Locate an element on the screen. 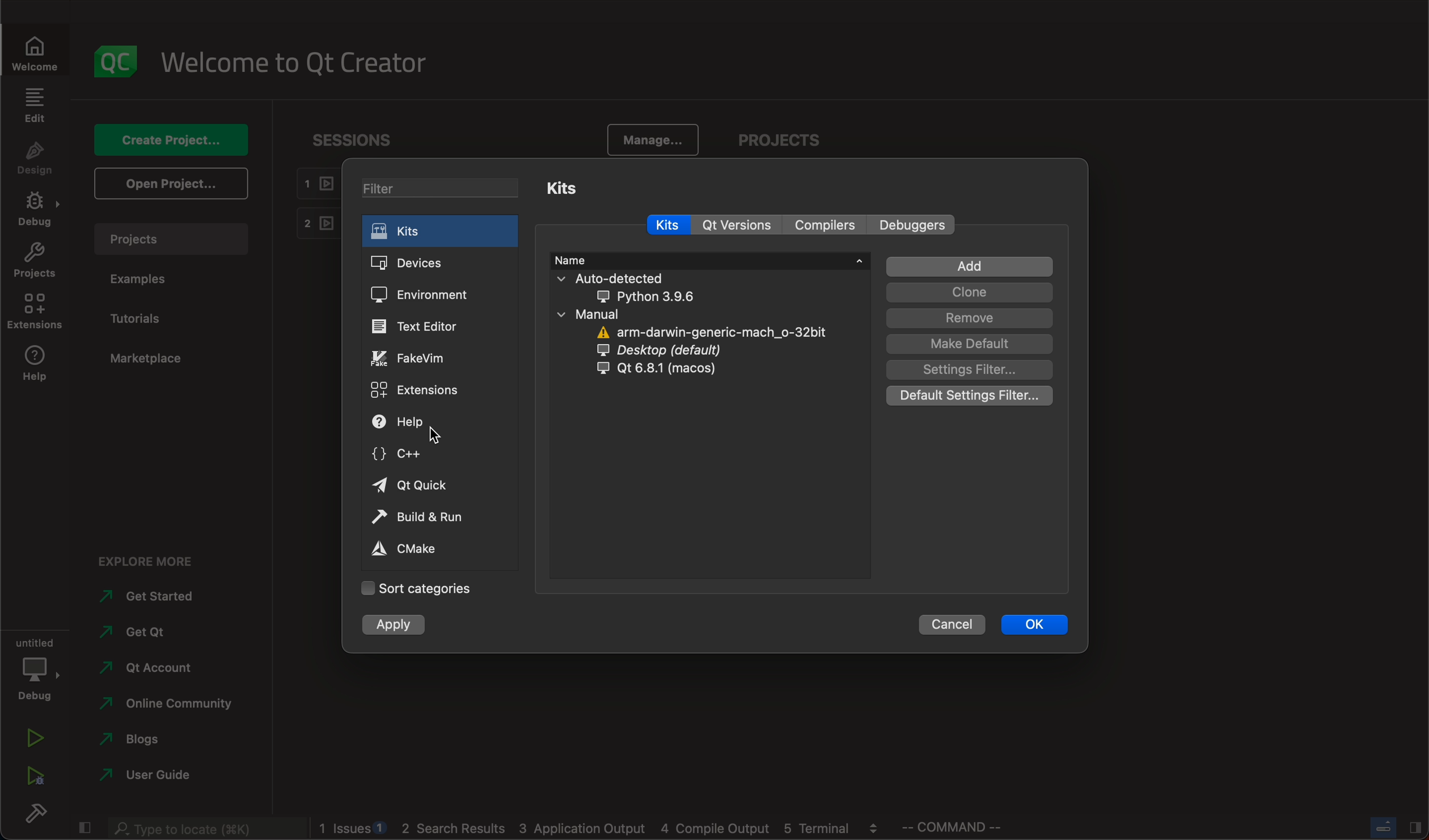 The height and width of the screenshot is (840, 1429). edit is located at coordinates (38, 108).